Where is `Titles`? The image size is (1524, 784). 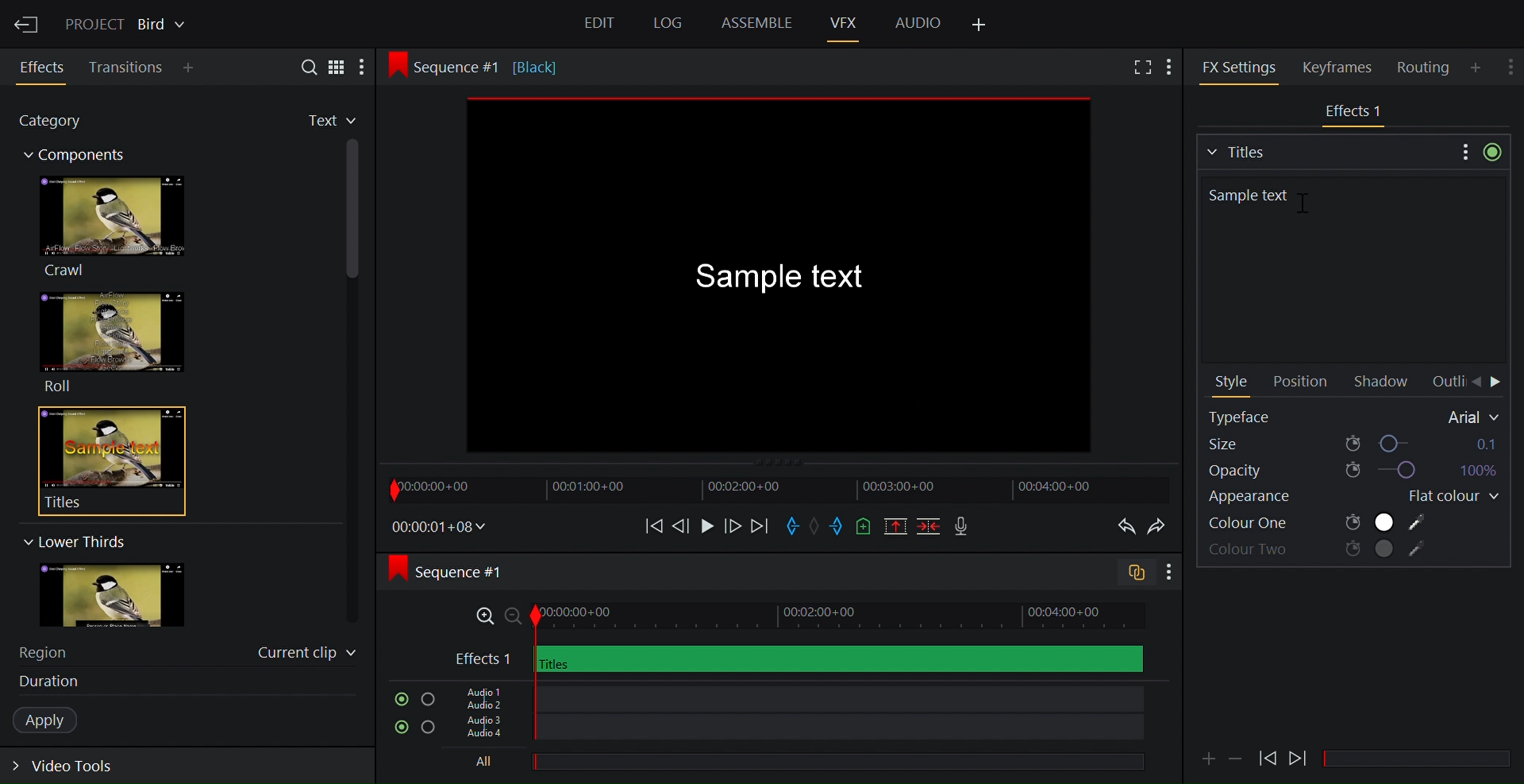
Titles is located at coordinates (102, 460).